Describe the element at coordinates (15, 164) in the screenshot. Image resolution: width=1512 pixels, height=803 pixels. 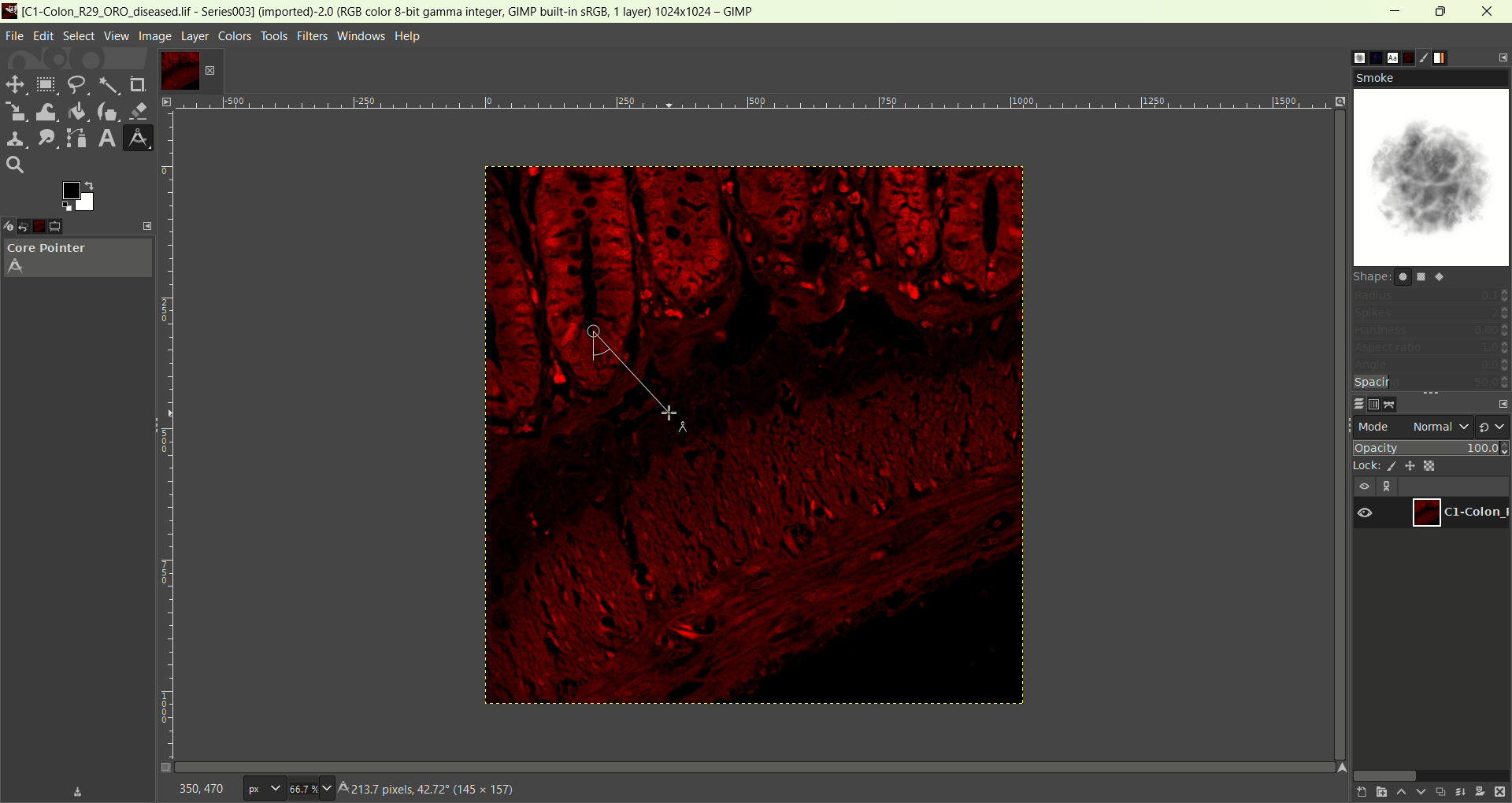
I see `search tool` at that location.